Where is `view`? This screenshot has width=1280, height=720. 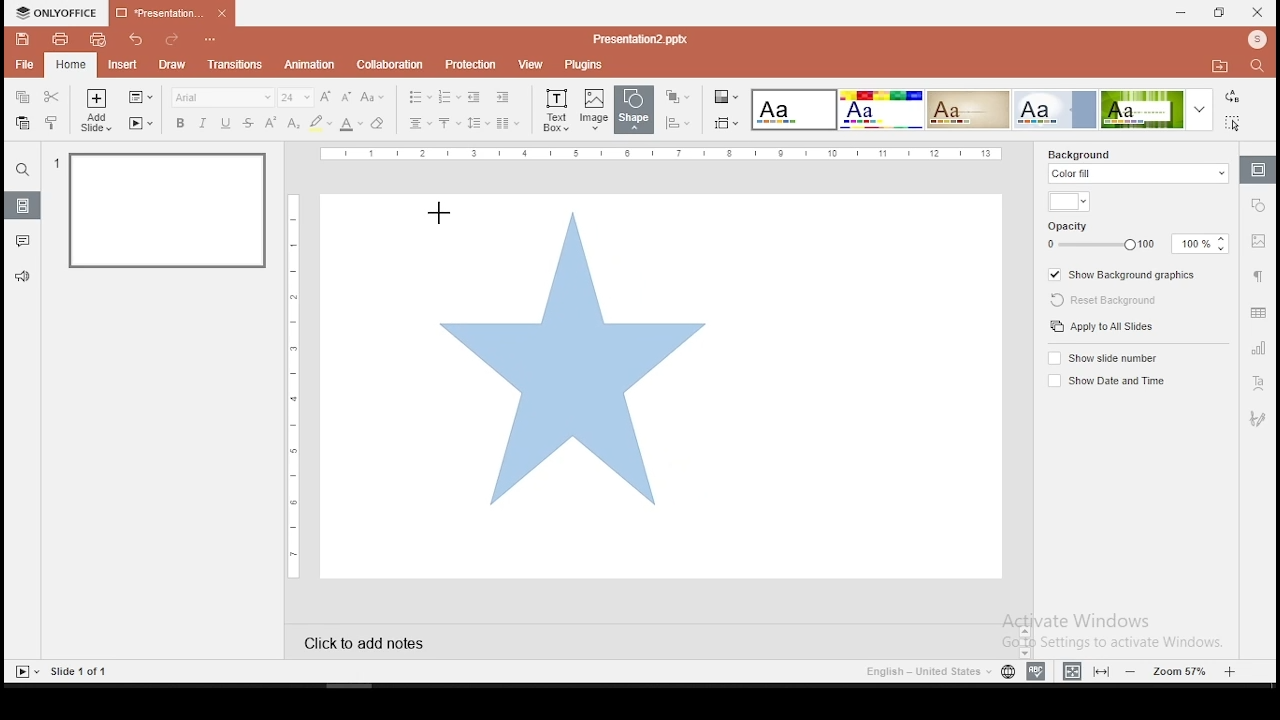
view is located at coordinates (528, 65).